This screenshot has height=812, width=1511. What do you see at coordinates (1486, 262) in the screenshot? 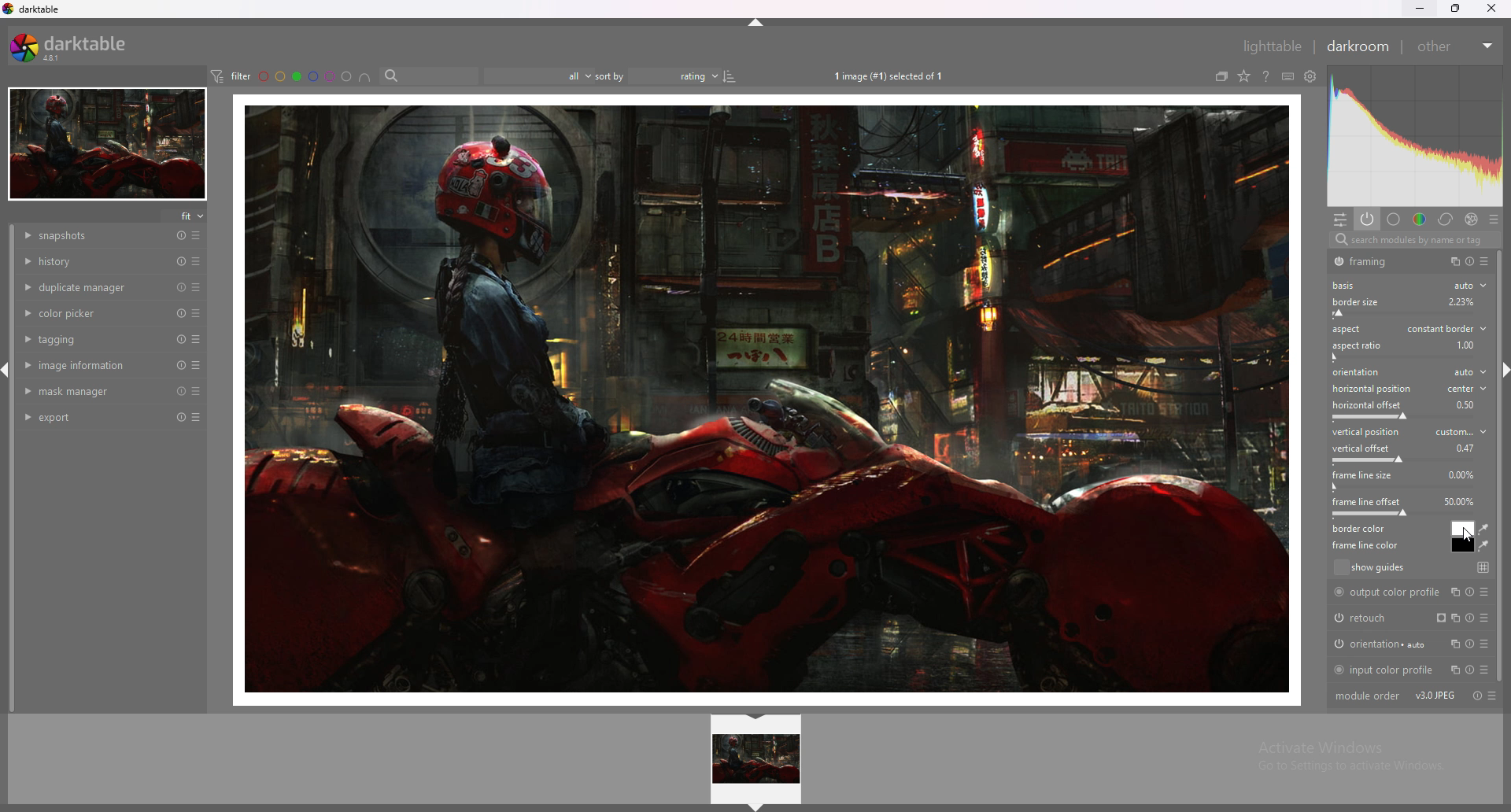
I see `presets` at bounding box center [1486, 262].